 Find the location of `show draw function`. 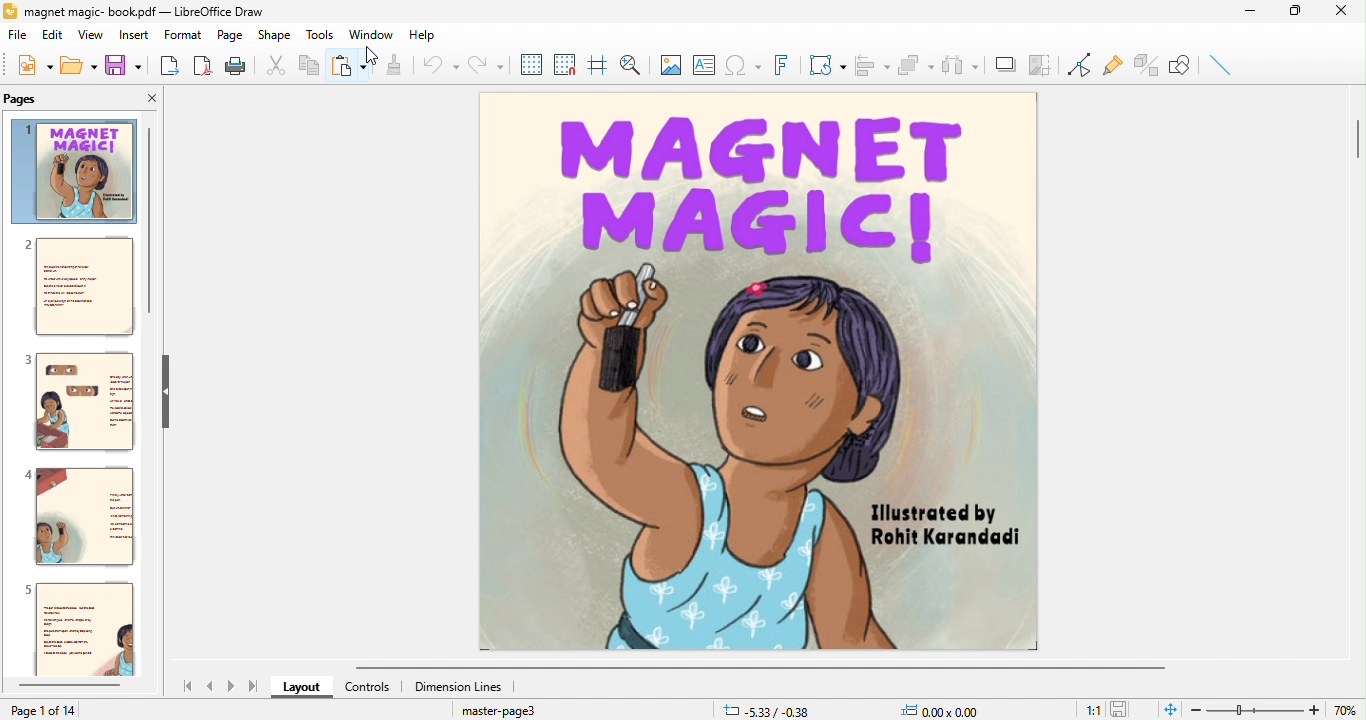

show draw function is located at coordinates (1184, 64).